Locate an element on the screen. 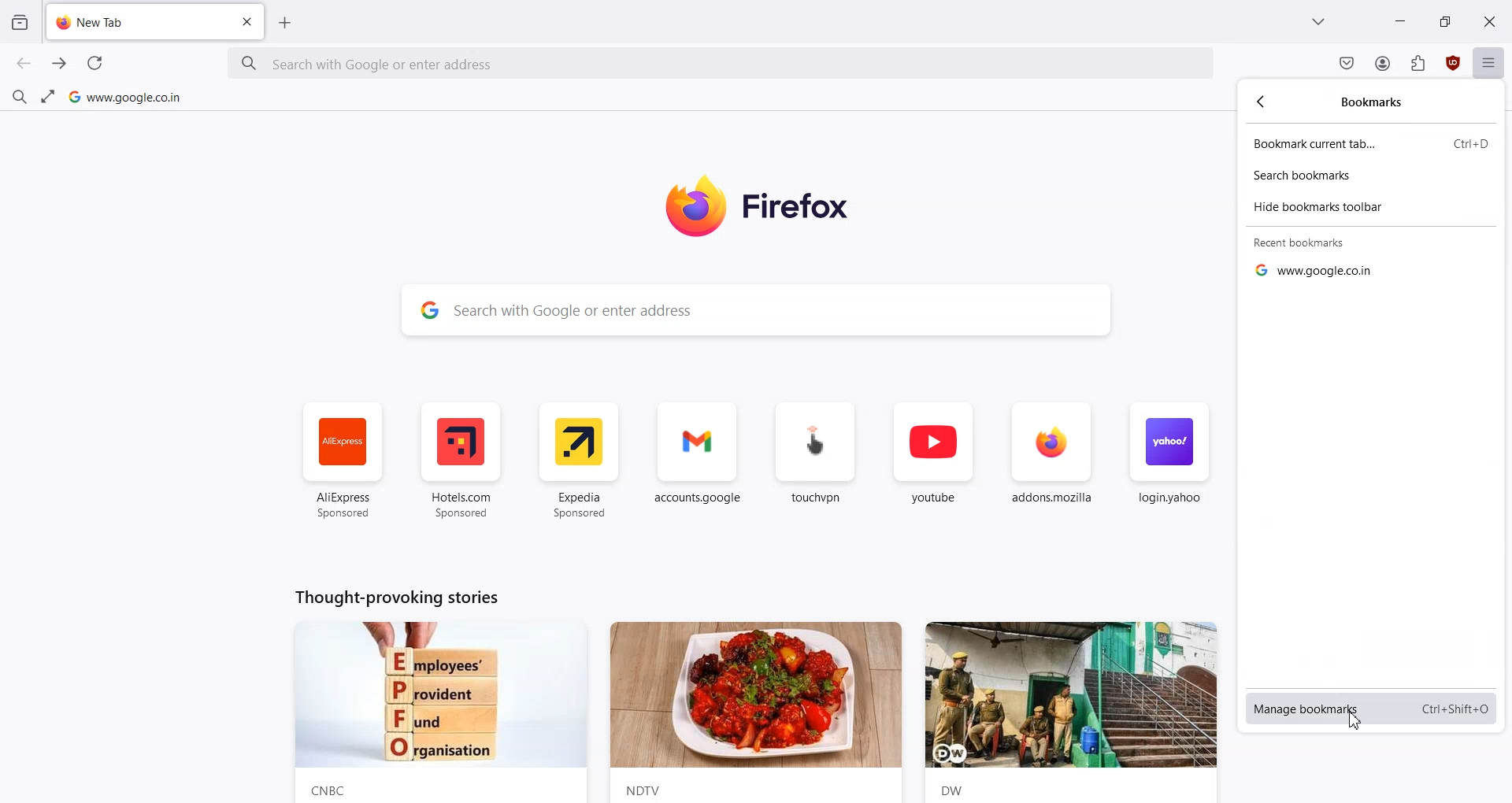 Image resolution: width=1512 pixels, height=803 pixels. Maximize is located at coordinates (1444, 20).